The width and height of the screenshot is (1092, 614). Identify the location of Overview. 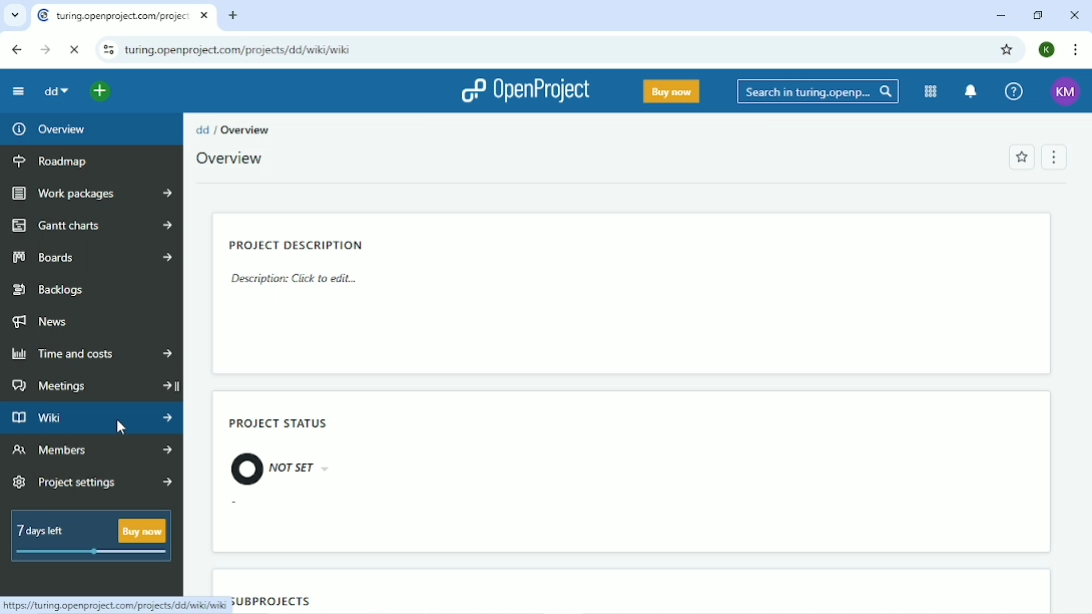
(48, 129).